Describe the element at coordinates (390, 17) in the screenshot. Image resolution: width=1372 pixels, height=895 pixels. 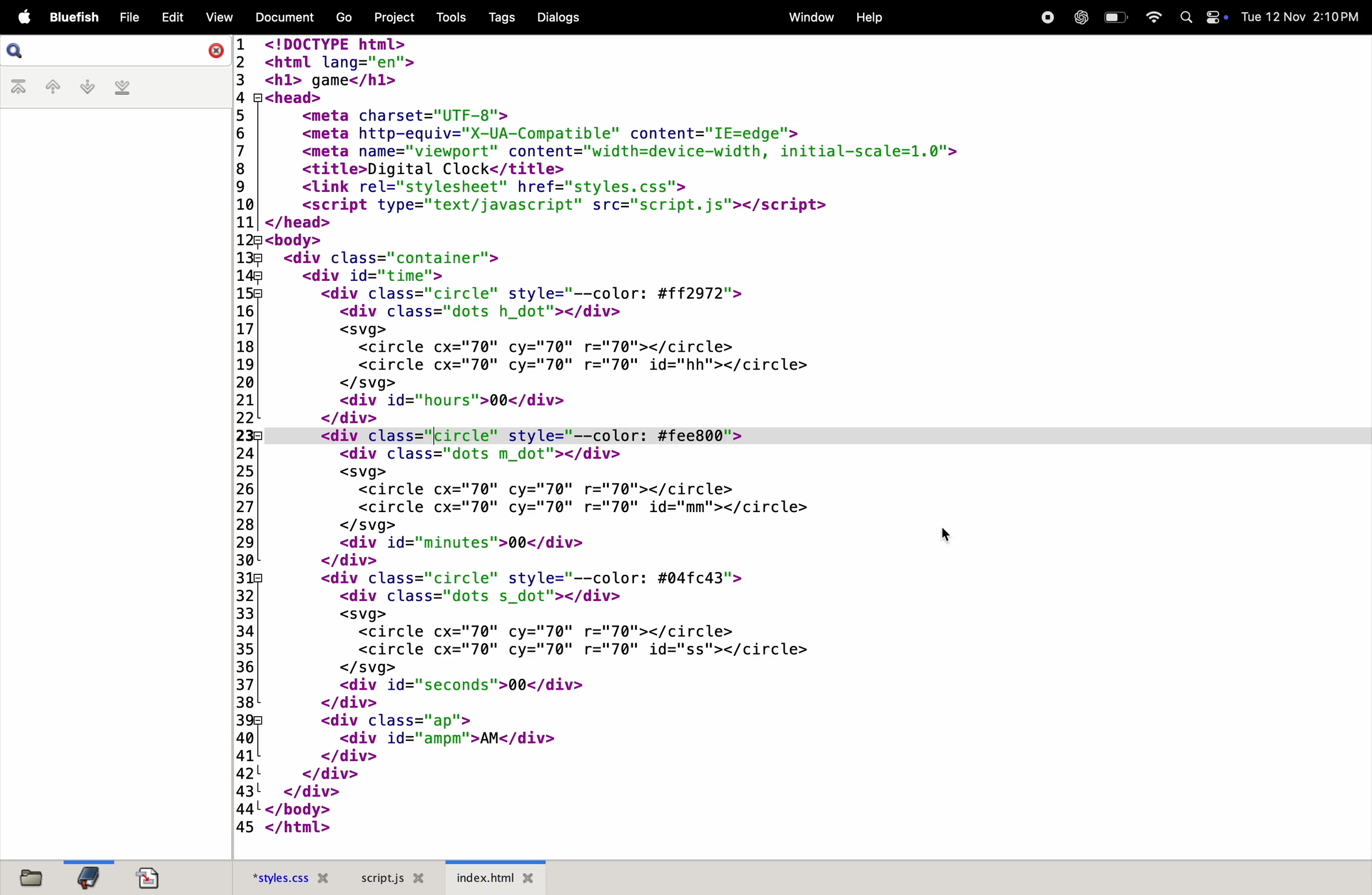
I see `projects` at that location.